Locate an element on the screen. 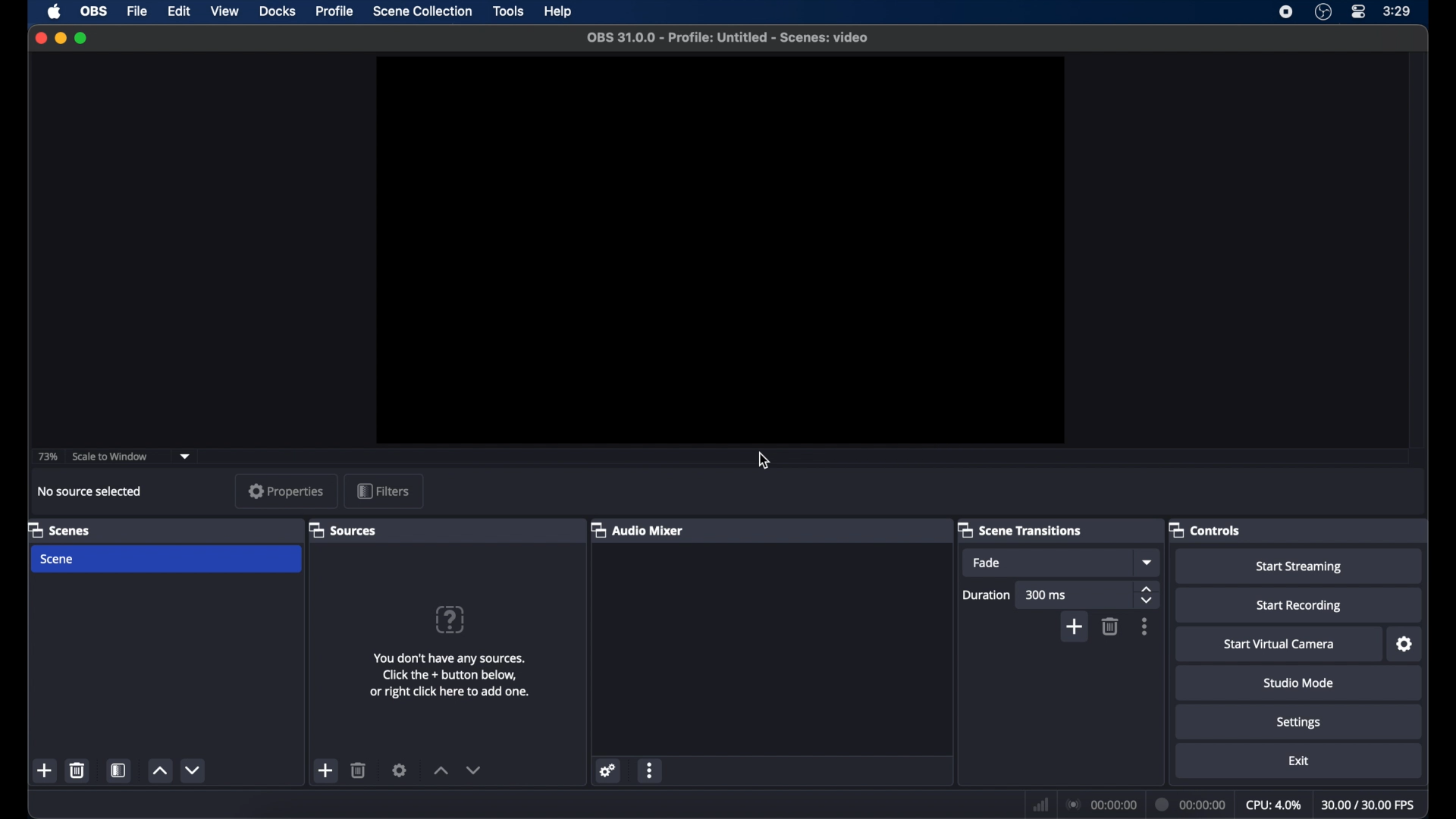  file name is located at coordinates (726, 38).